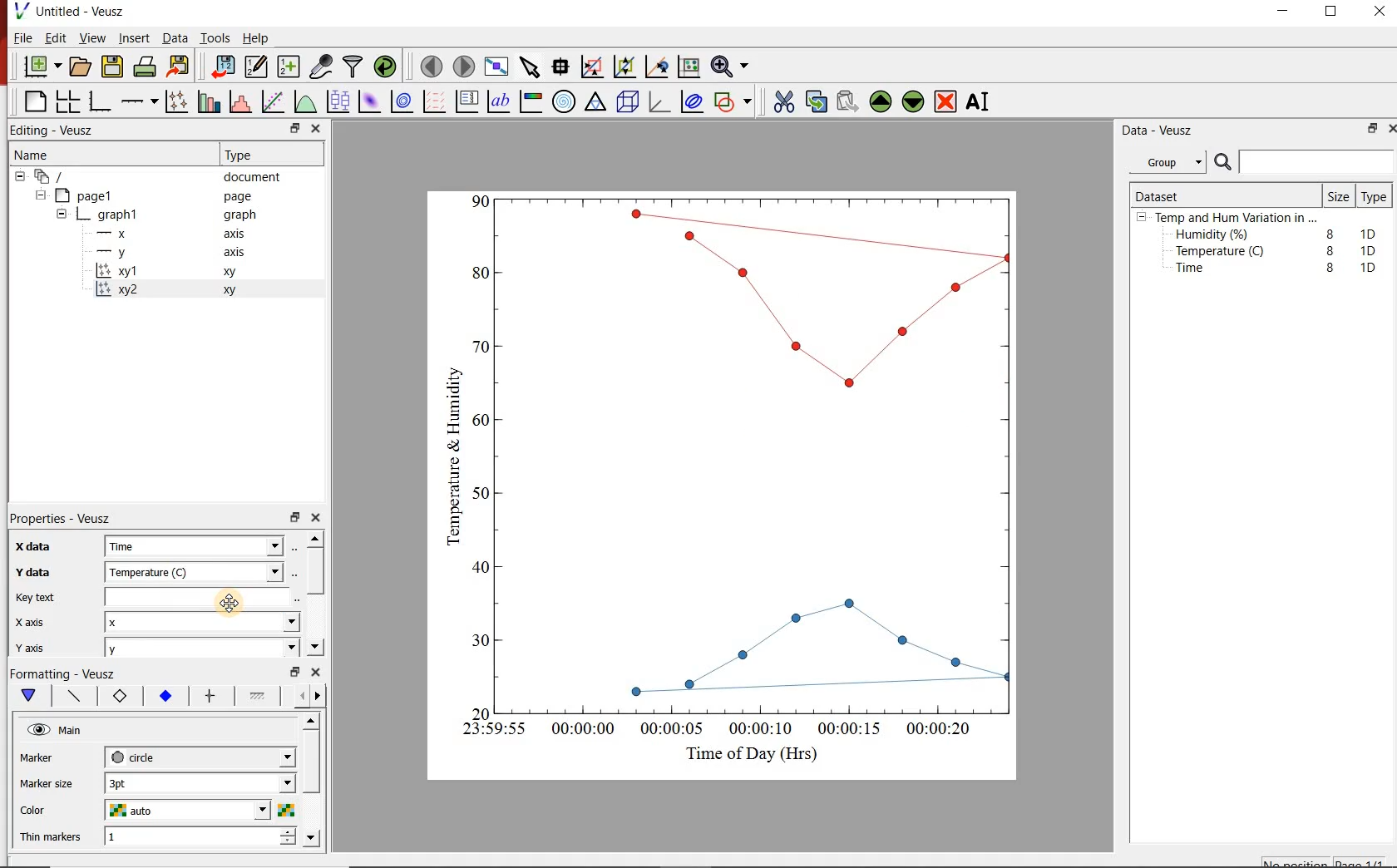  What do you see at coordinates (580, 731) in the screenshot?
I see `00:00:00` at bounding box center [580, 731].